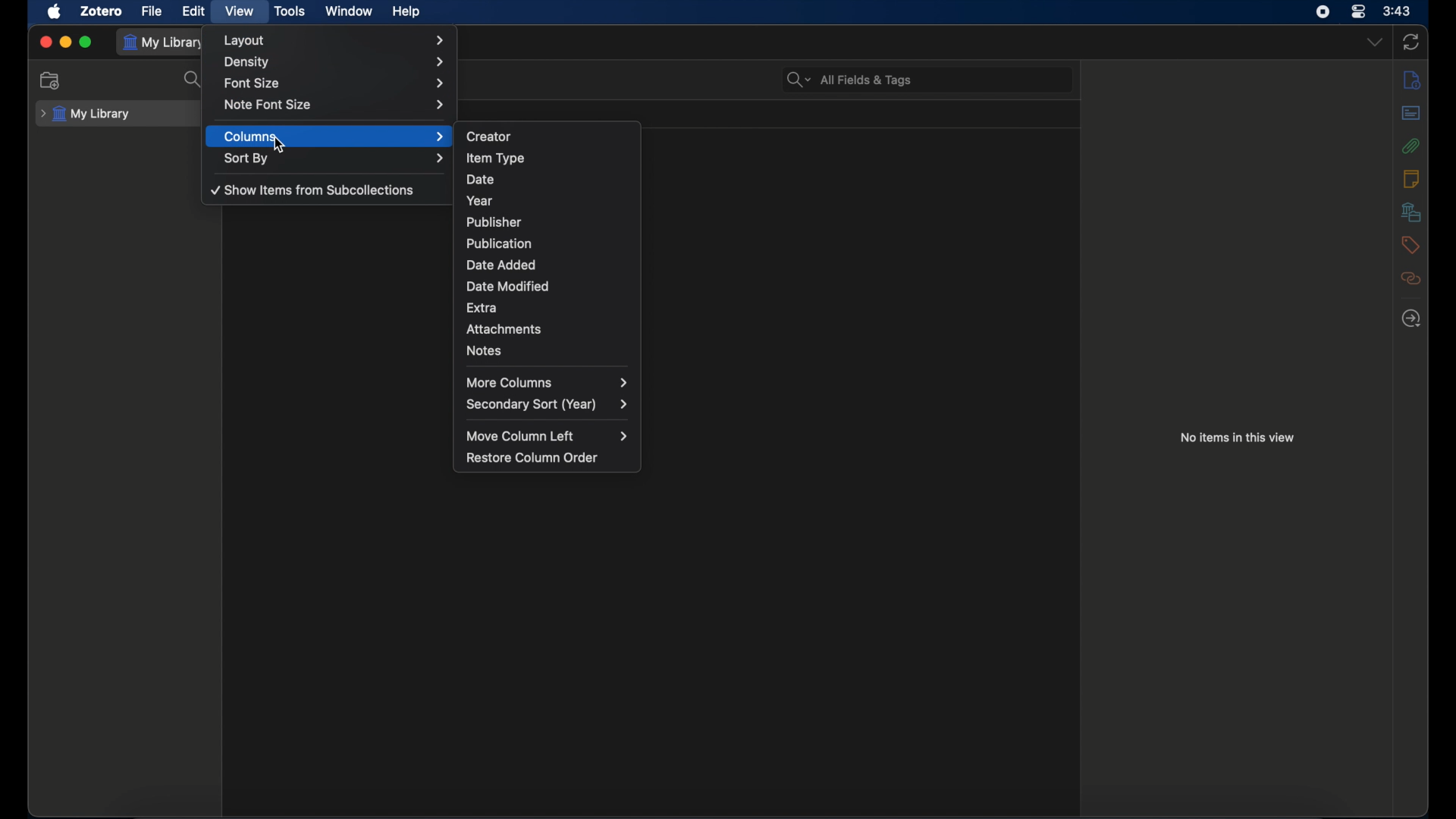 The image size is (1456, 819). What do you see at coordinates (550, 405) in the screenshot?
I see `secondary sort` at bounding box center [550, 405].